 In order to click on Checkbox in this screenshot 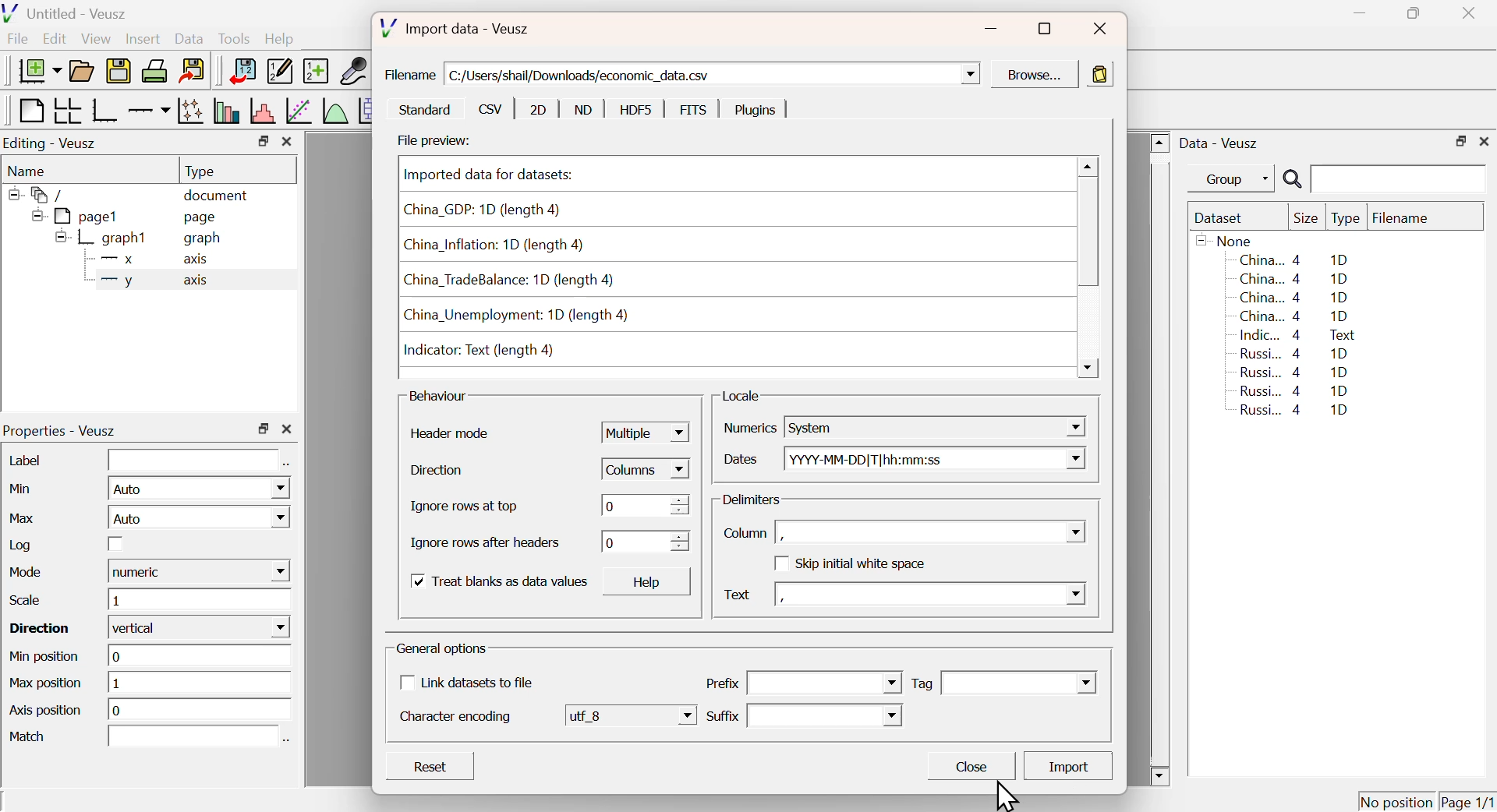, I will do `click(417, 581)`.